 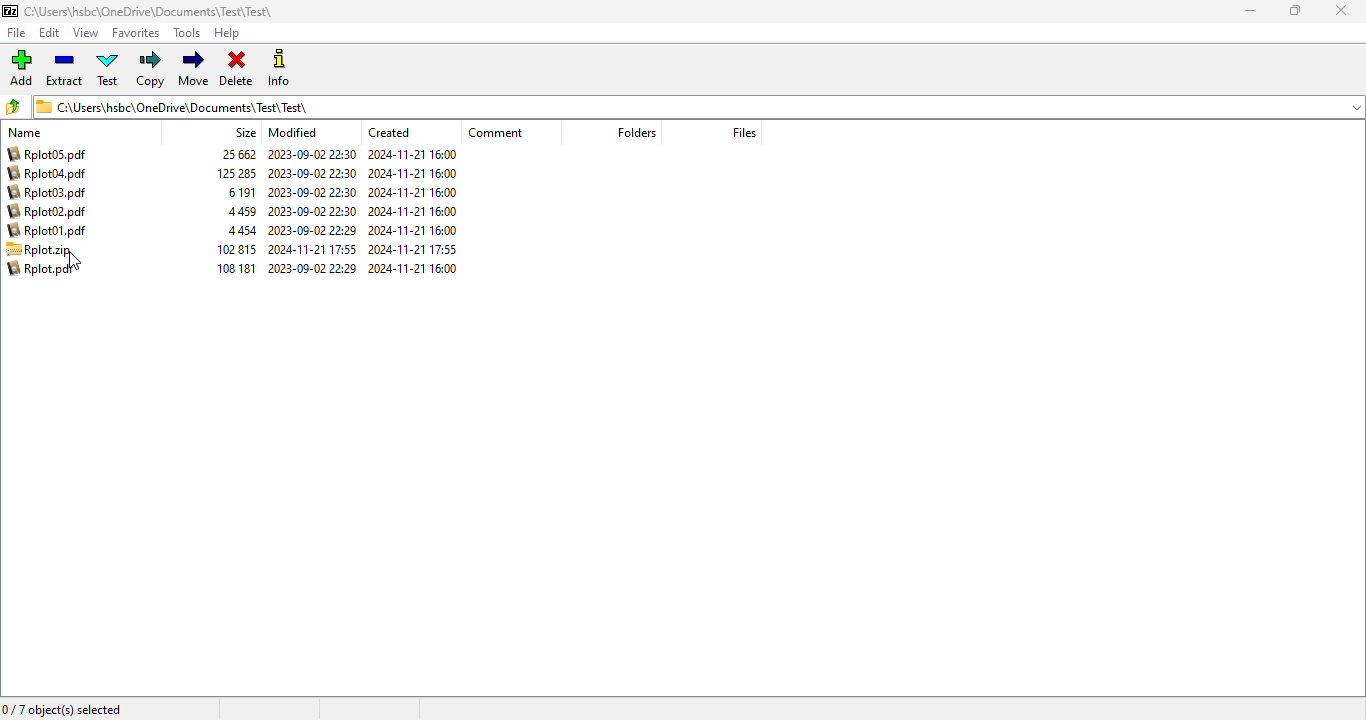 I want to click on logo, so click(x=10, y=11).